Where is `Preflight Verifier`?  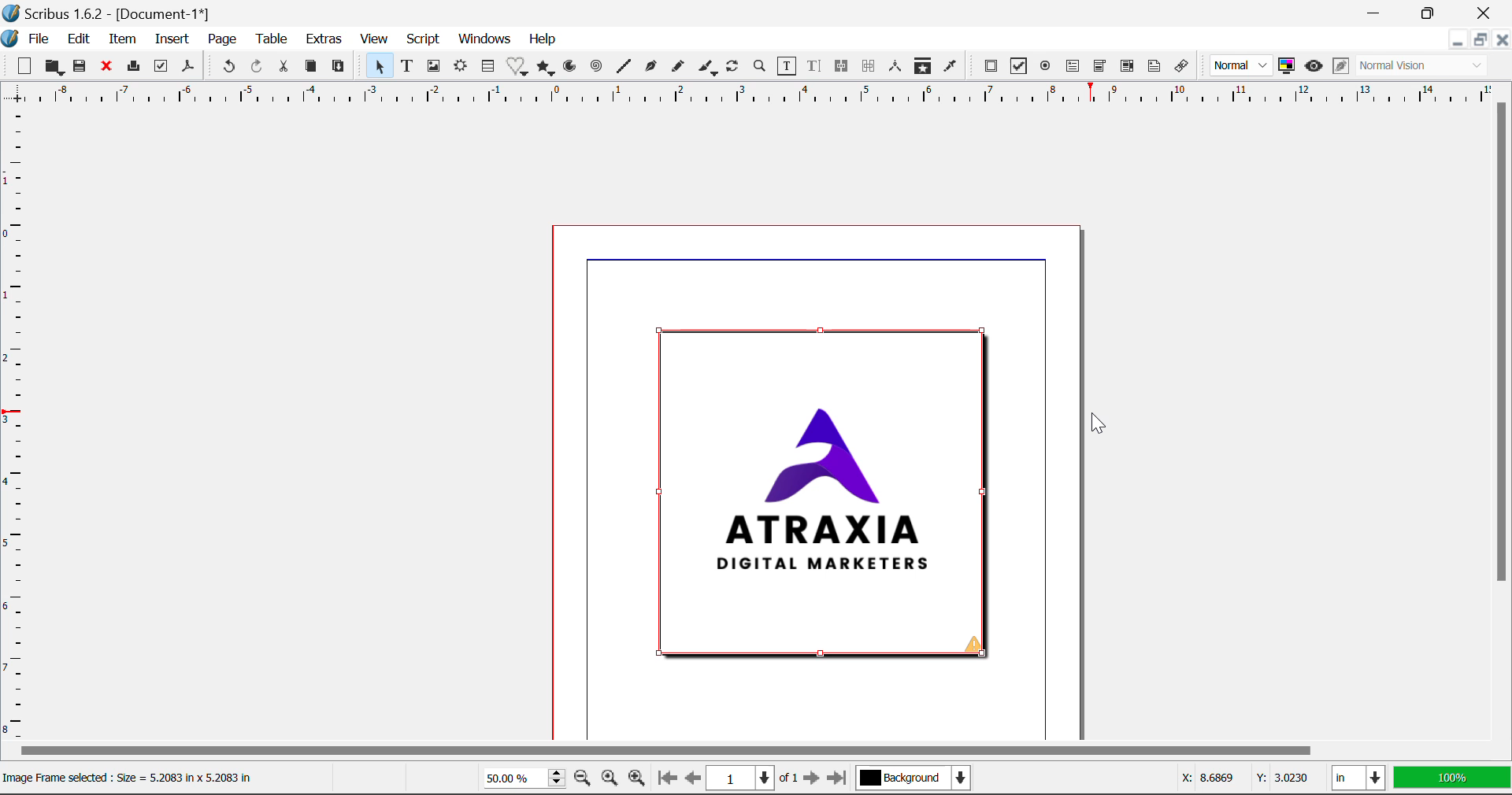 Preflight Verifier is located at coordinates (161, 68).